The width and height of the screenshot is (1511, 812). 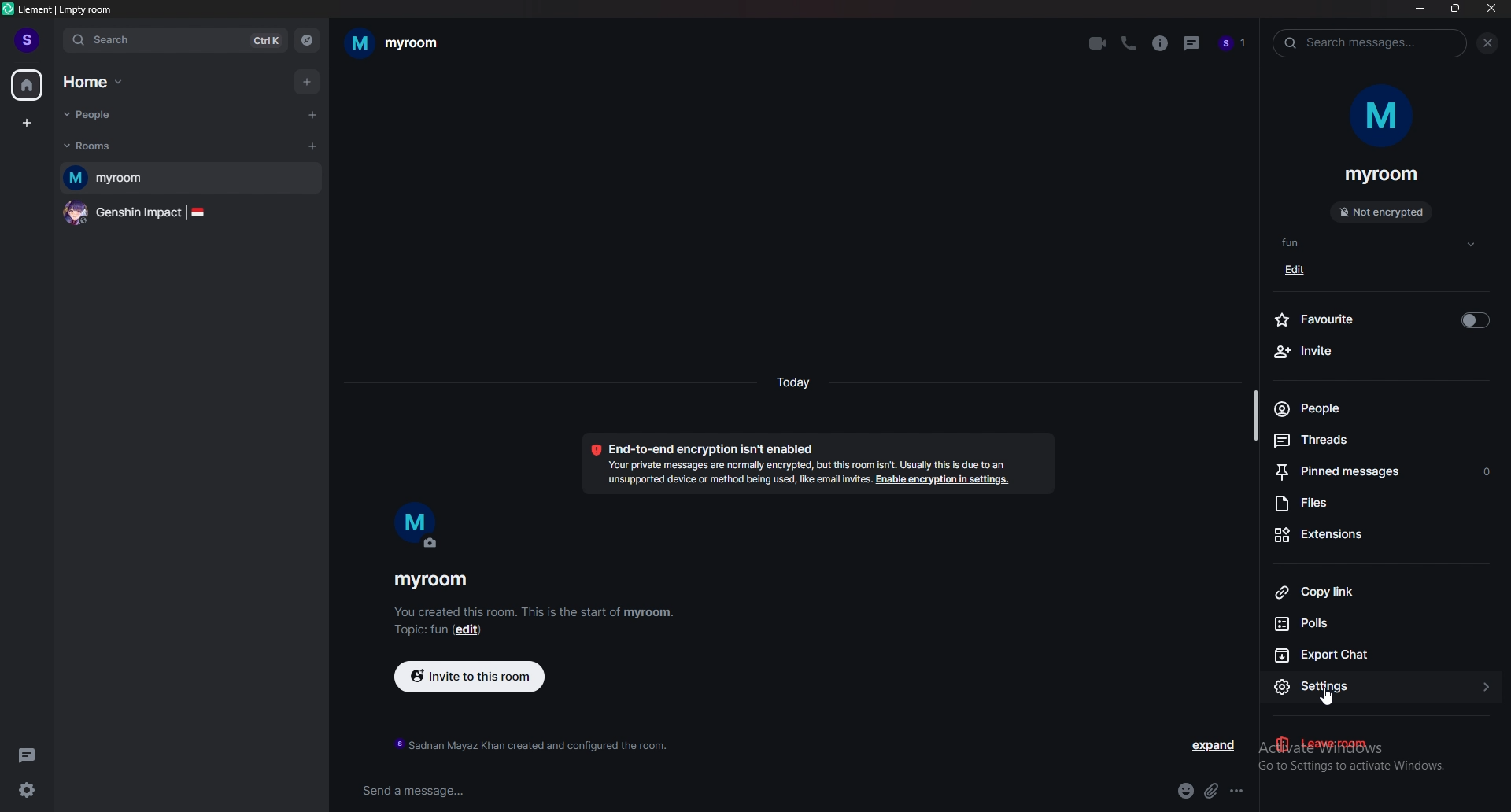 What do you see at coordinates (1381, 408) in the screenshot?
I see `people` at bounding box center [1381, 408].